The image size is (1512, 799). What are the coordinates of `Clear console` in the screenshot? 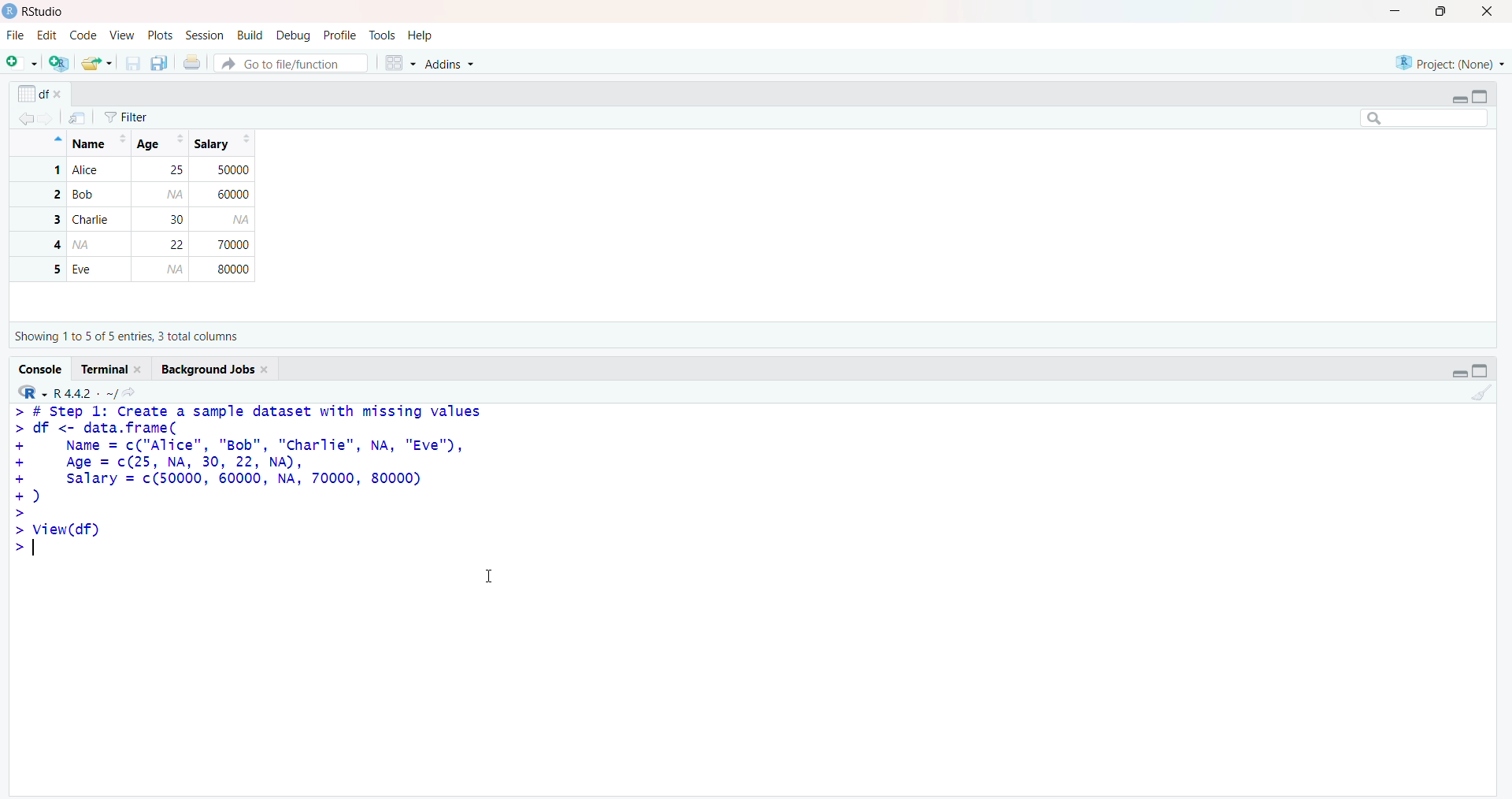 It's located at (1482, 397).